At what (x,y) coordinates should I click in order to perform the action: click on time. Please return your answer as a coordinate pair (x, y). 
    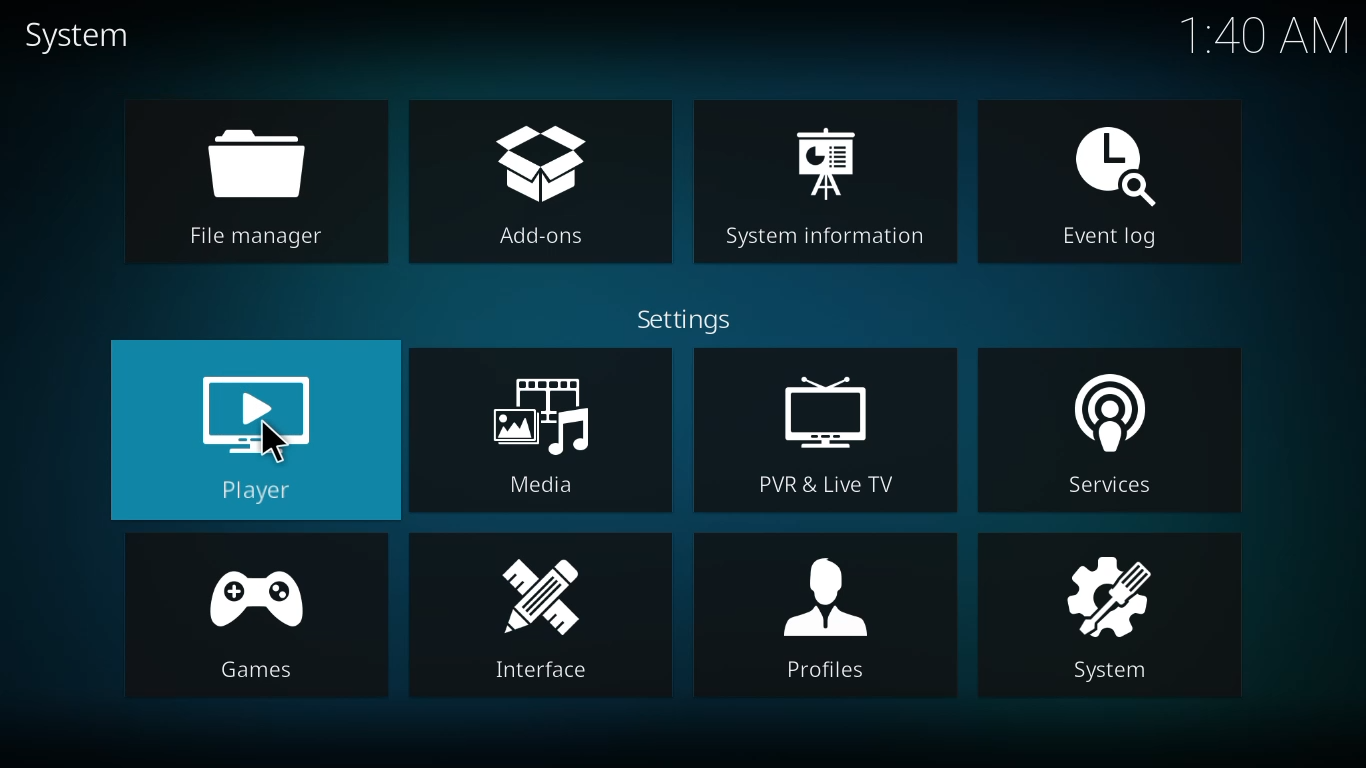
    Looking at the image, I should click on (1264, 36).